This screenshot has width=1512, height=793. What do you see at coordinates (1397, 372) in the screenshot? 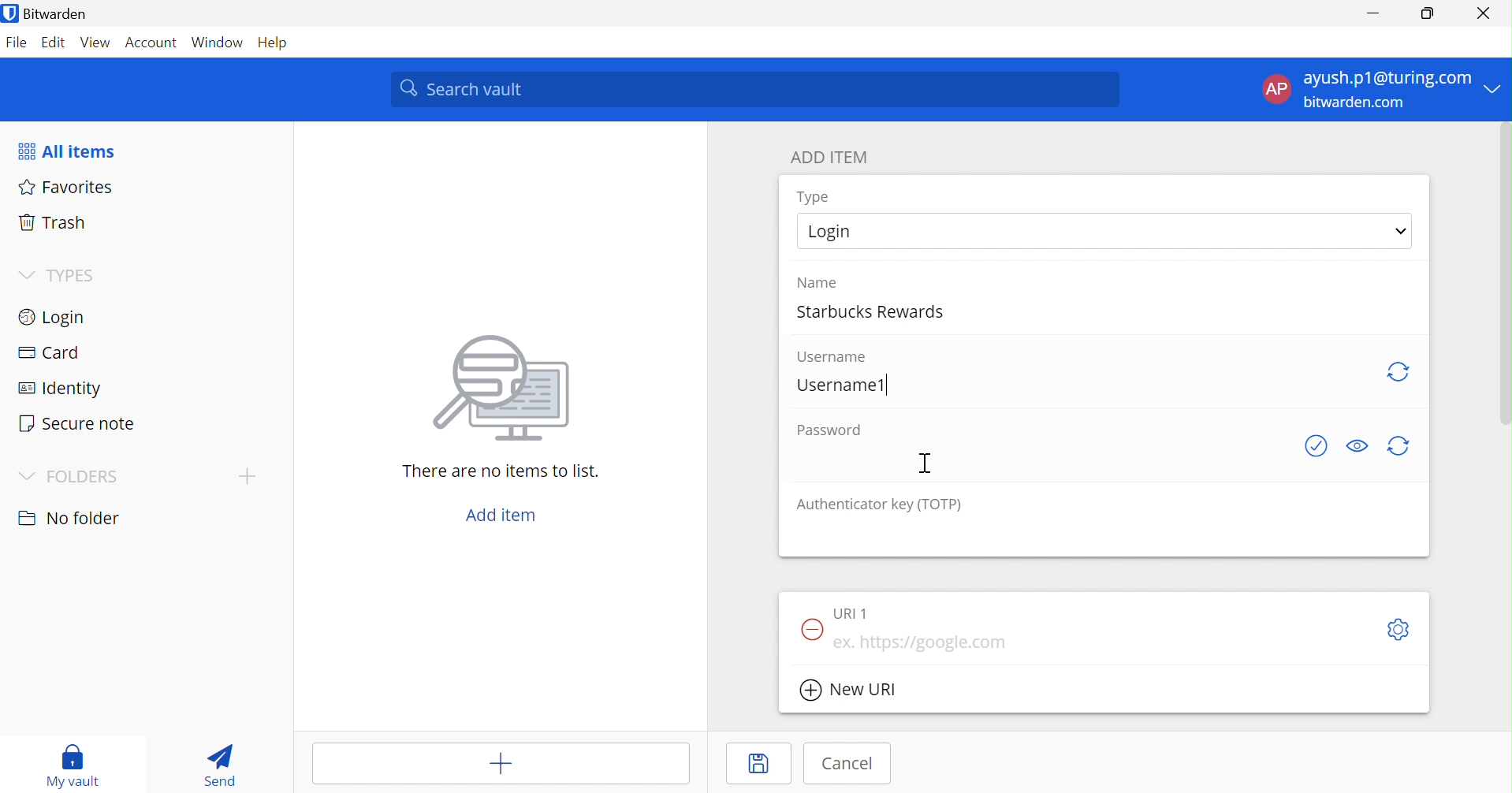
I see `Regenerate username` at bounding box center [1397, 372].